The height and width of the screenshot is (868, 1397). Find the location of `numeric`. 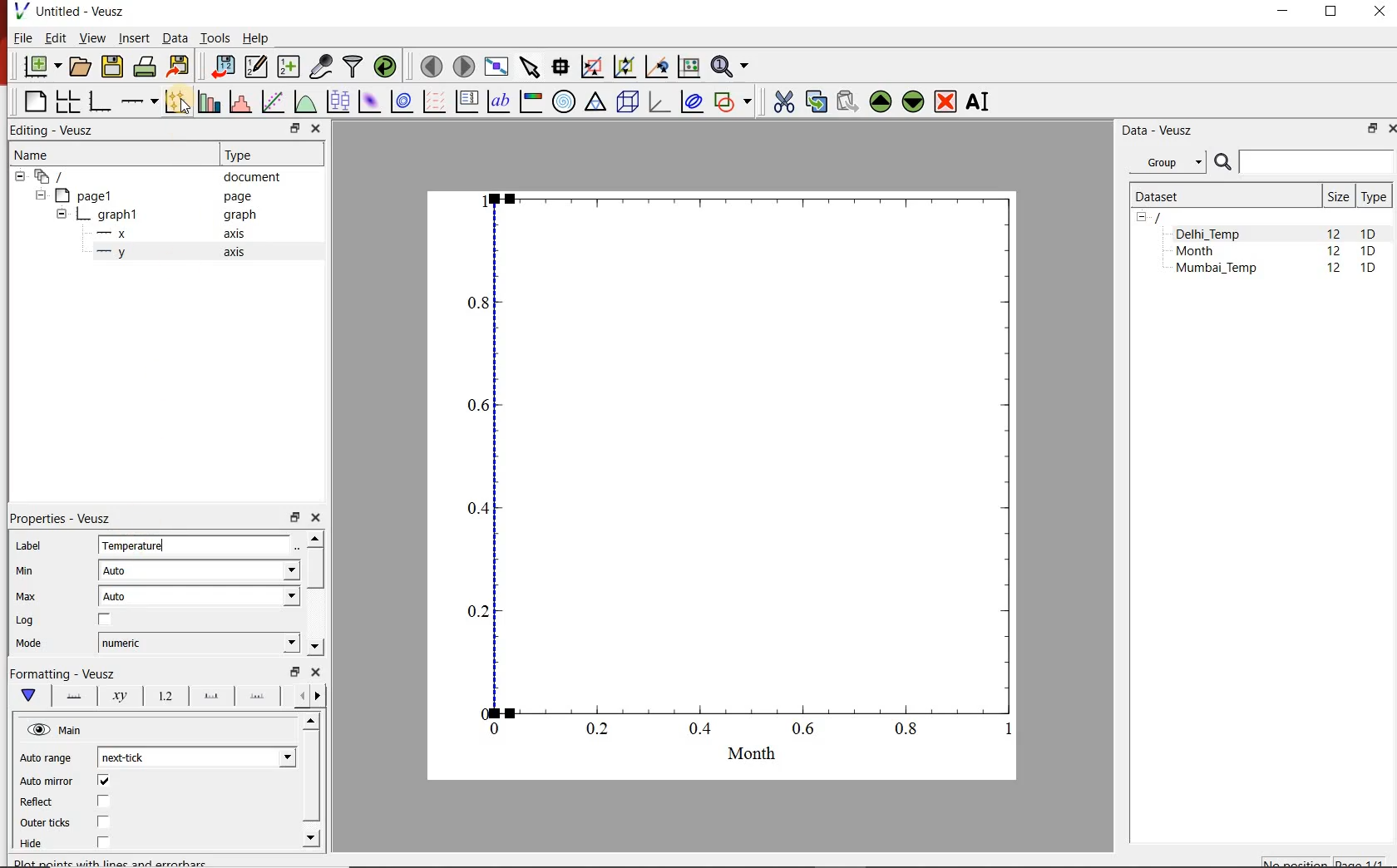

numeric is located at coordinates (199, 643).